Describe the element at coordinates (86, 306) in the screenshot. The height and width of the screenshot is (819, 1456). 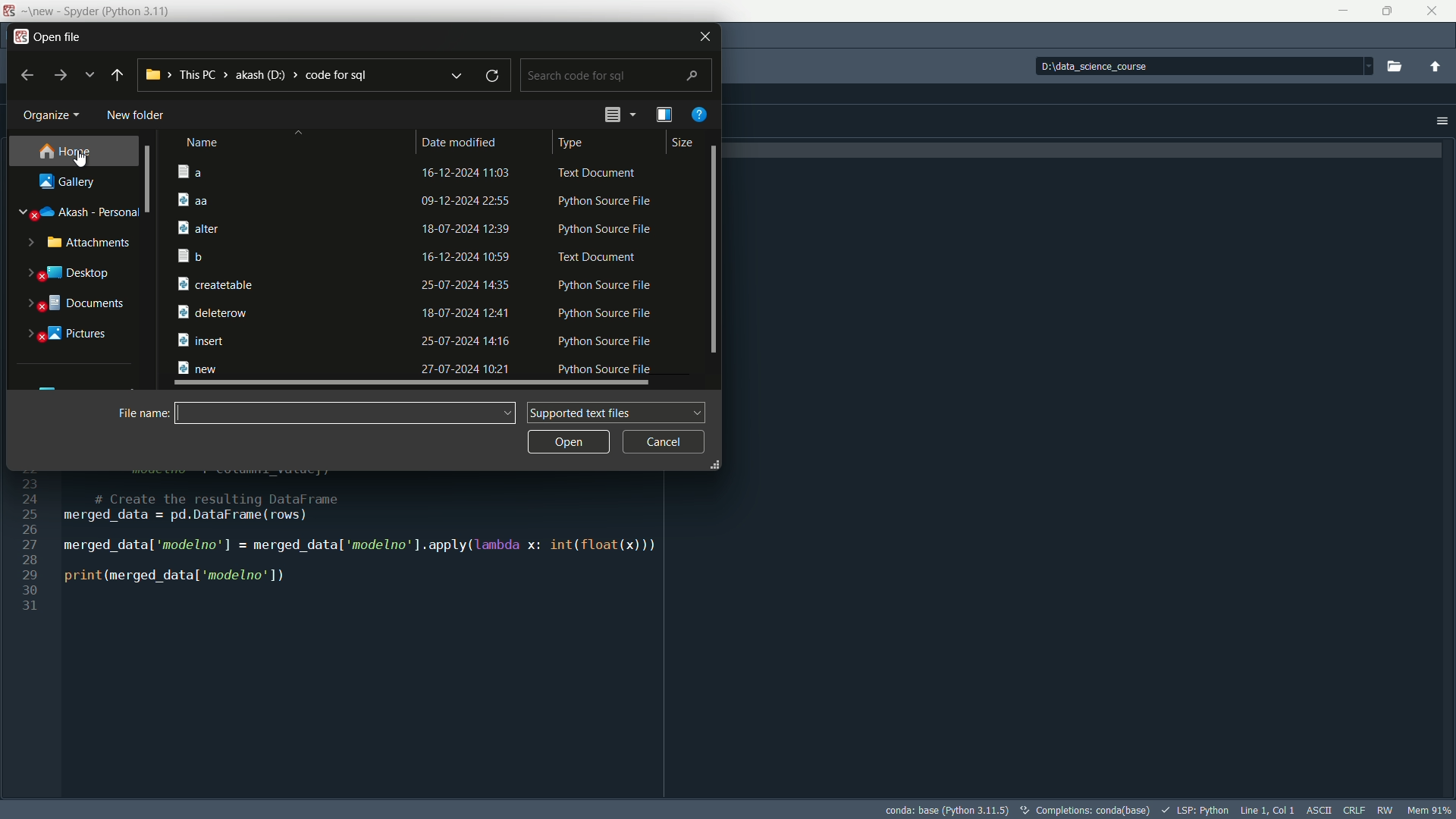
I see `documents` at that location.